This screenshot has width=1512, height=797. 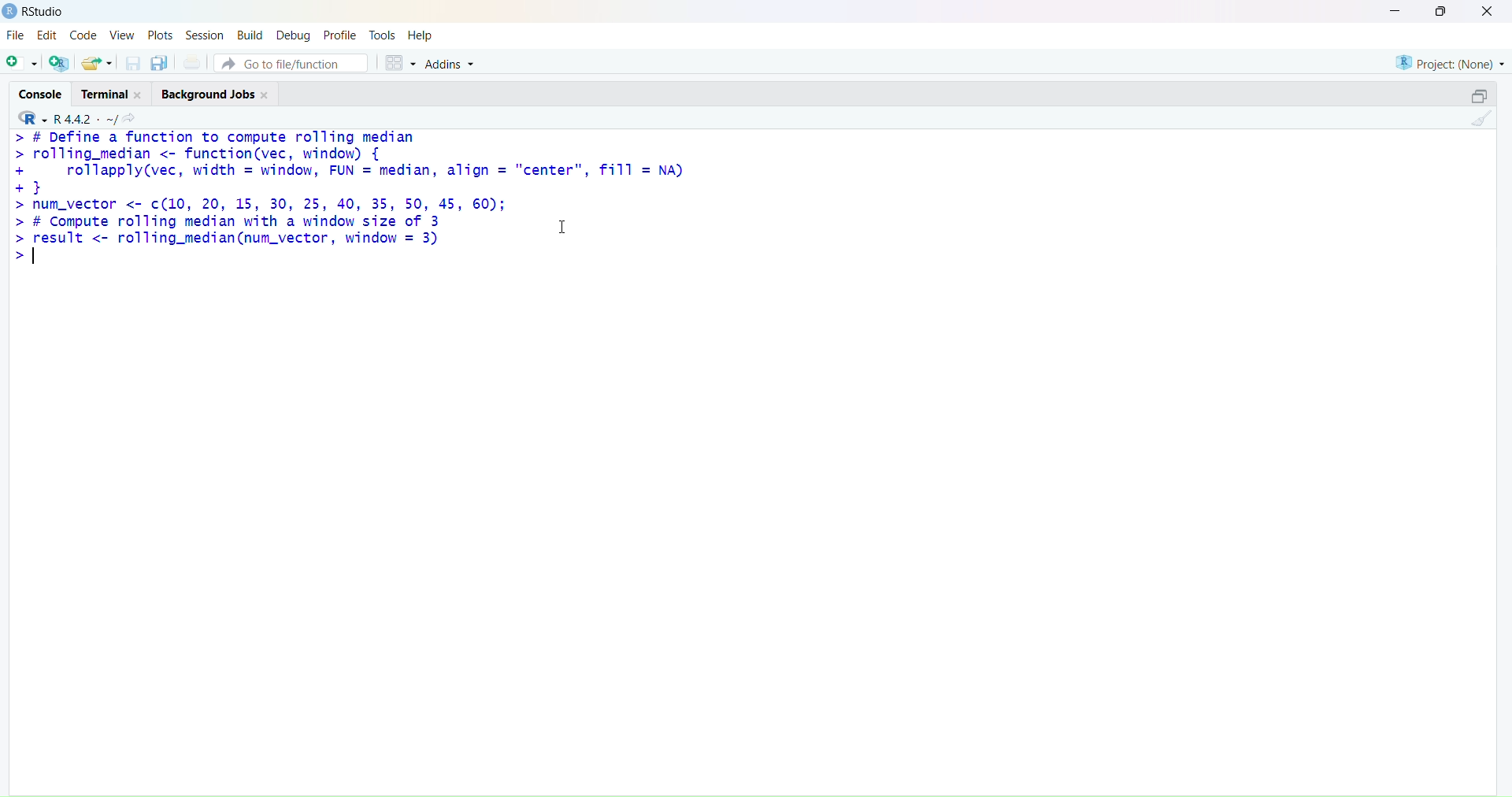 What do you see at coordinates (383, 35) in the screenshot?
I see `tools` at bounding box center [383, 35].